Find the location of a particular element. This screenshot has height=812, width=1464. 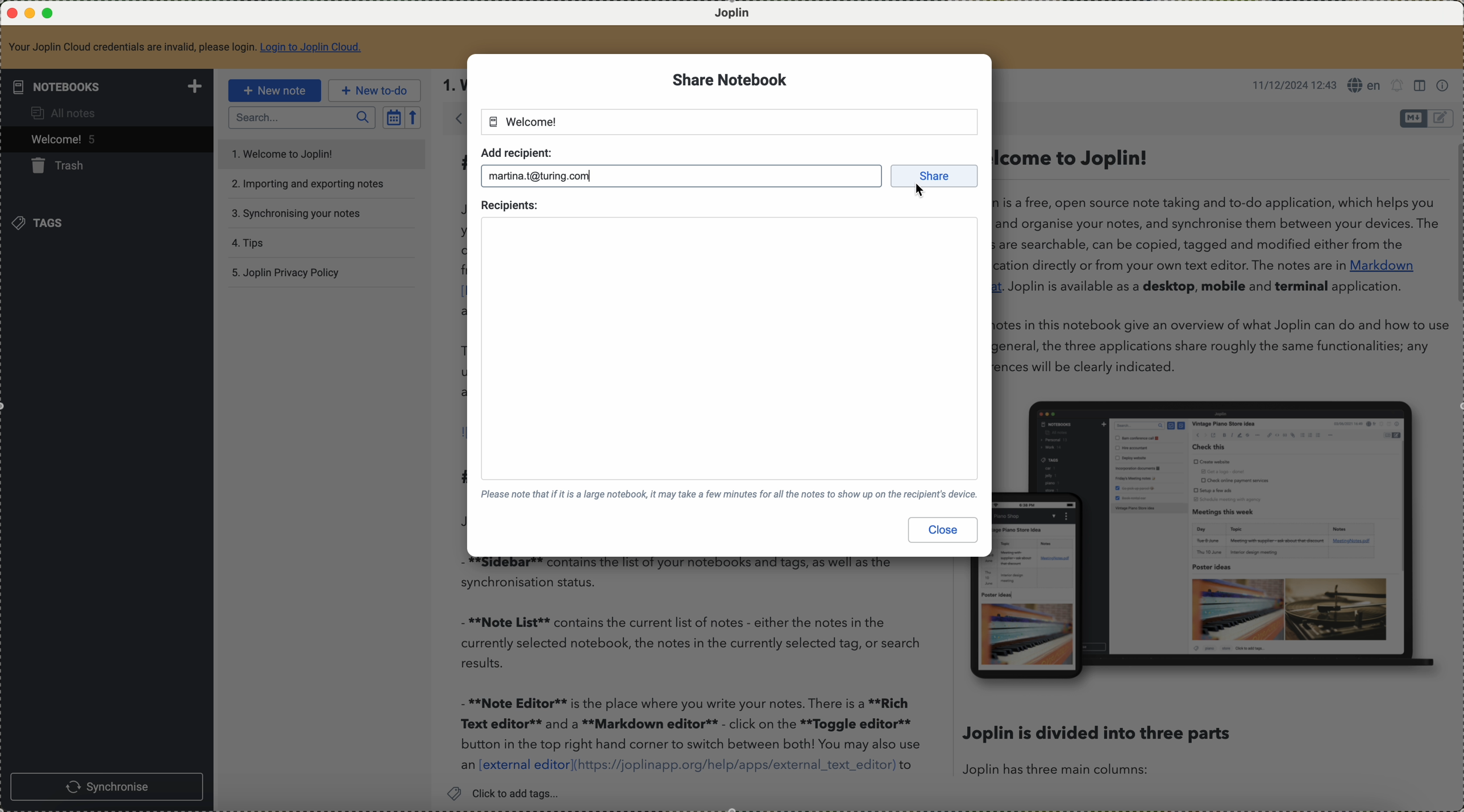

your Joplin Cloud credentials are invalid, please login to Joplin Cloud is located at coordinates (186, 47).